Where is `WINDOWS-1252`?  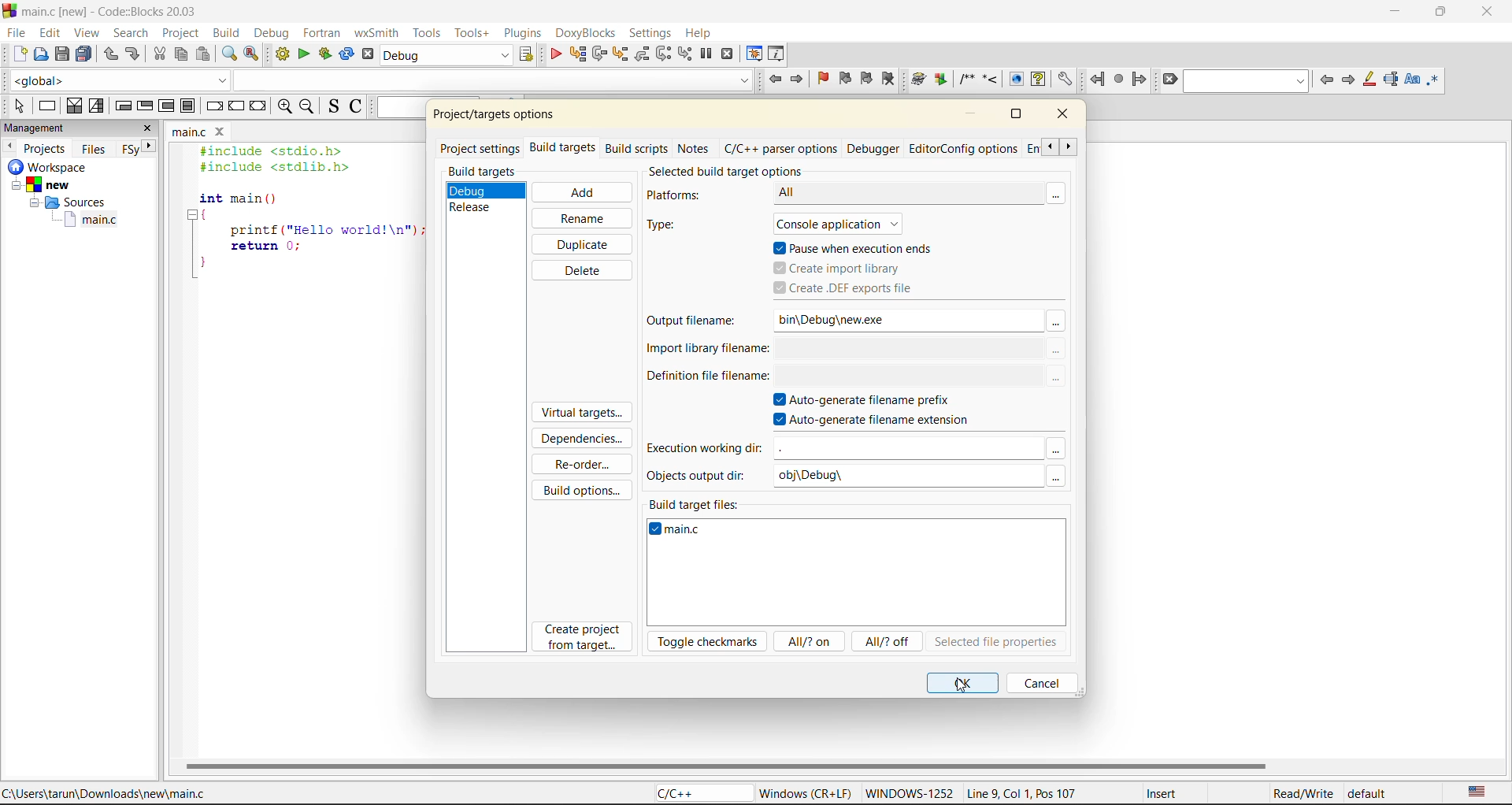 WINDOWS-1252 is located at coordinates (908, 795).